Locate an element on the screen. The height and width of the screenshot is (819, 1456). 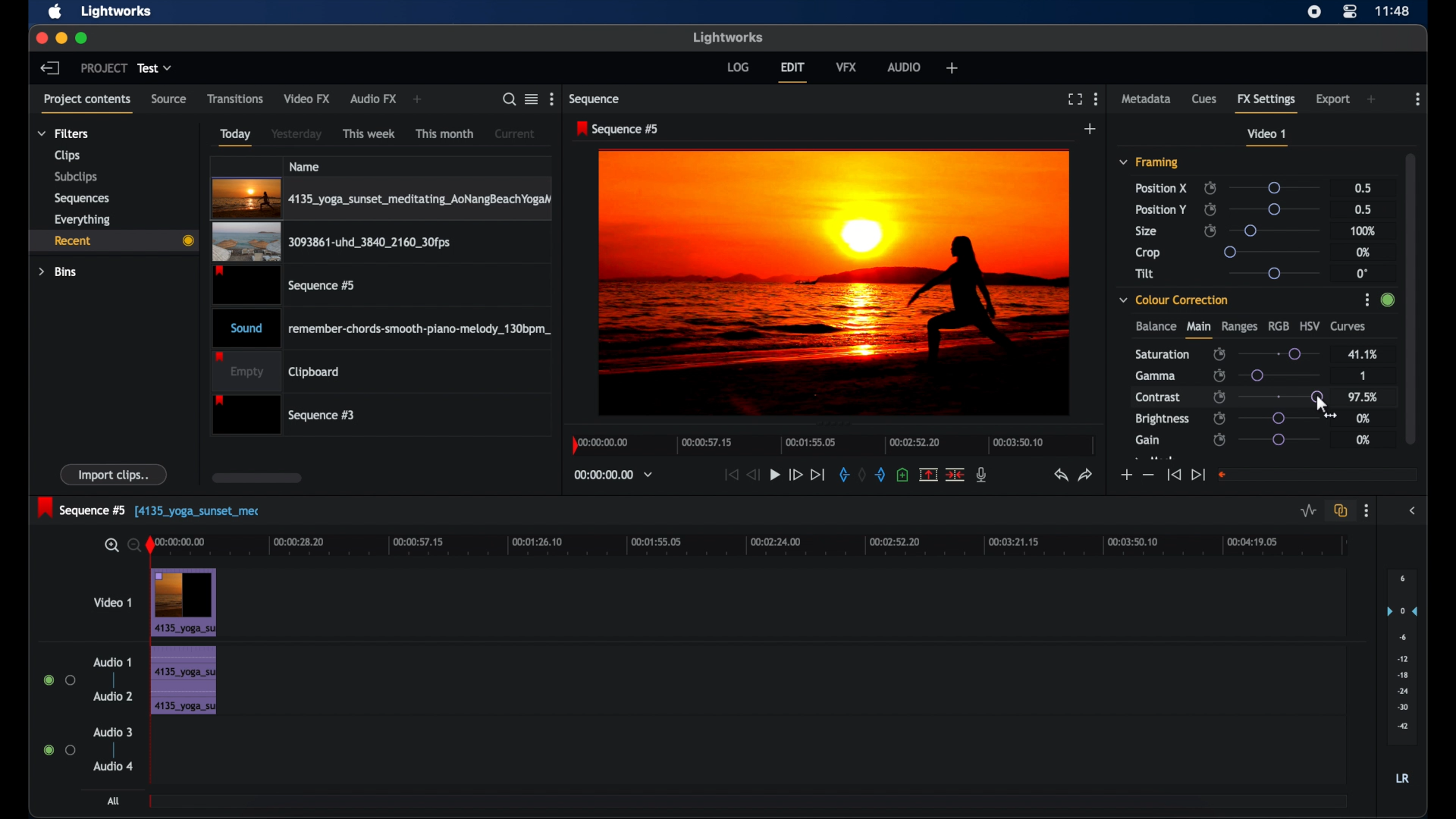
edit is located at coordinates (792, 72).